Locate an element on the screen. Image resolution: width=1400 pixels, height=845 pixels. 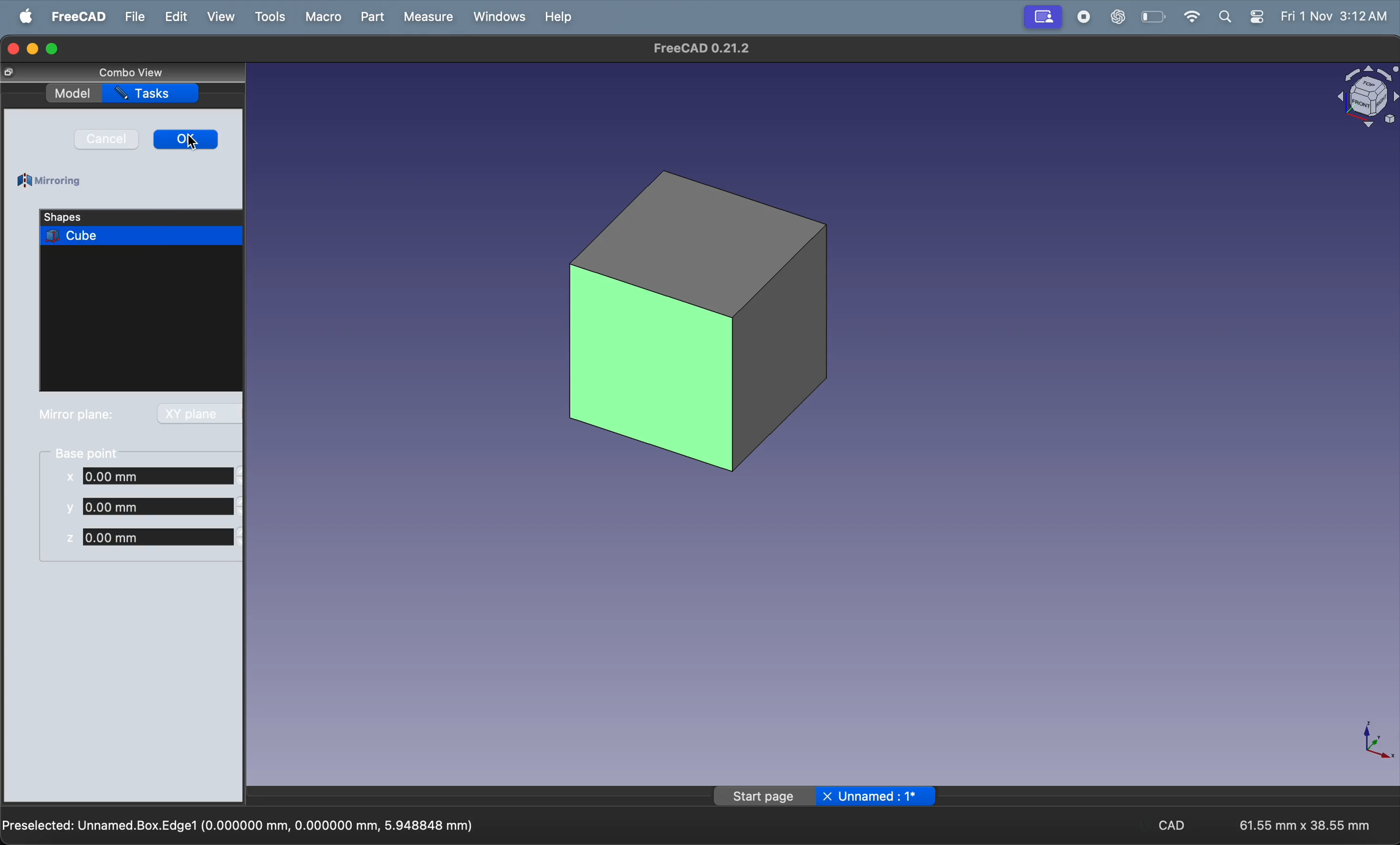
z cordinate is located at coordinates (152, 537).